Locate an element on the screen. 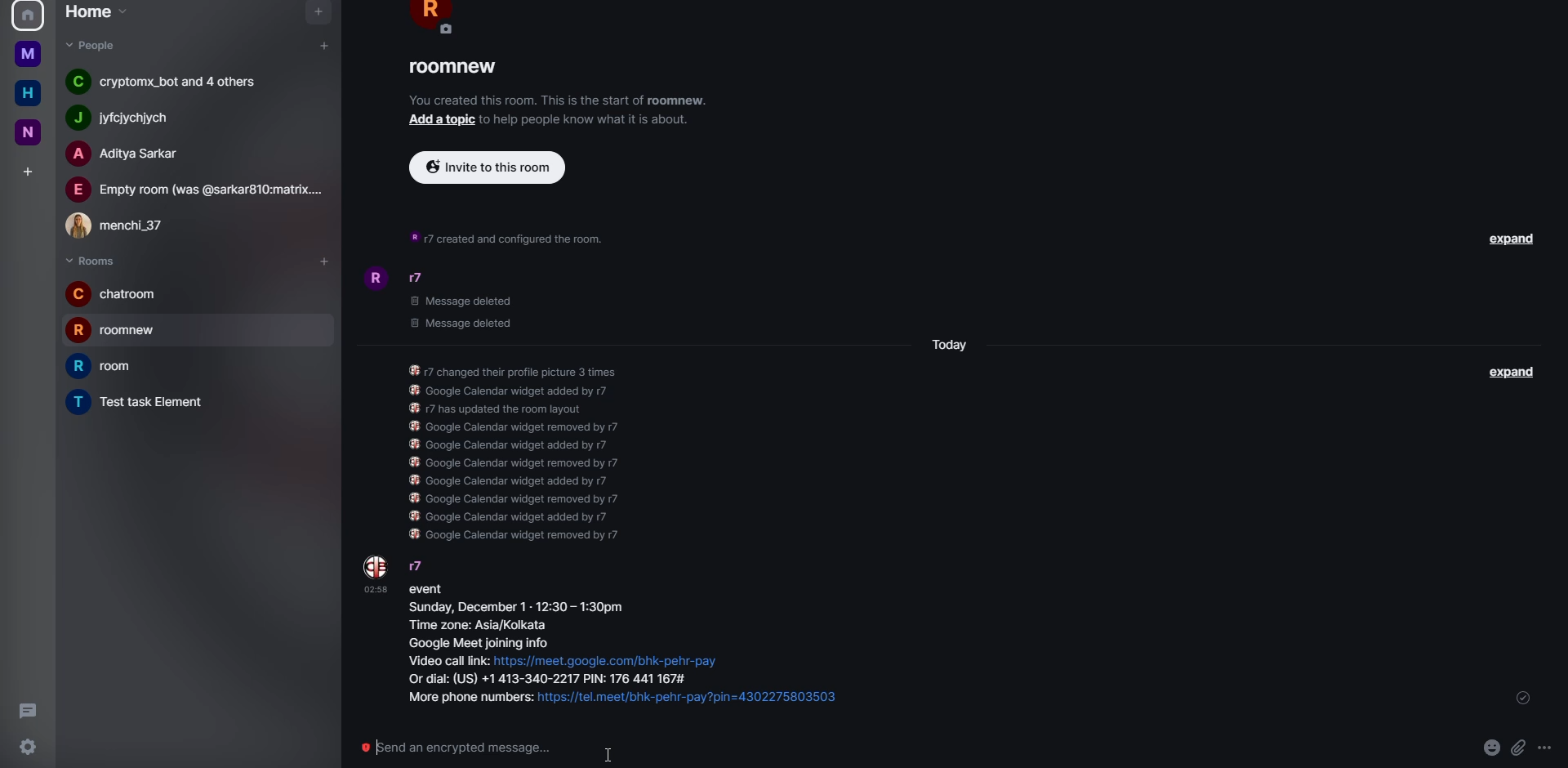 Image resolution: width=1568 pixels, height=768 pixels. people is located at coordinates (136, 118).